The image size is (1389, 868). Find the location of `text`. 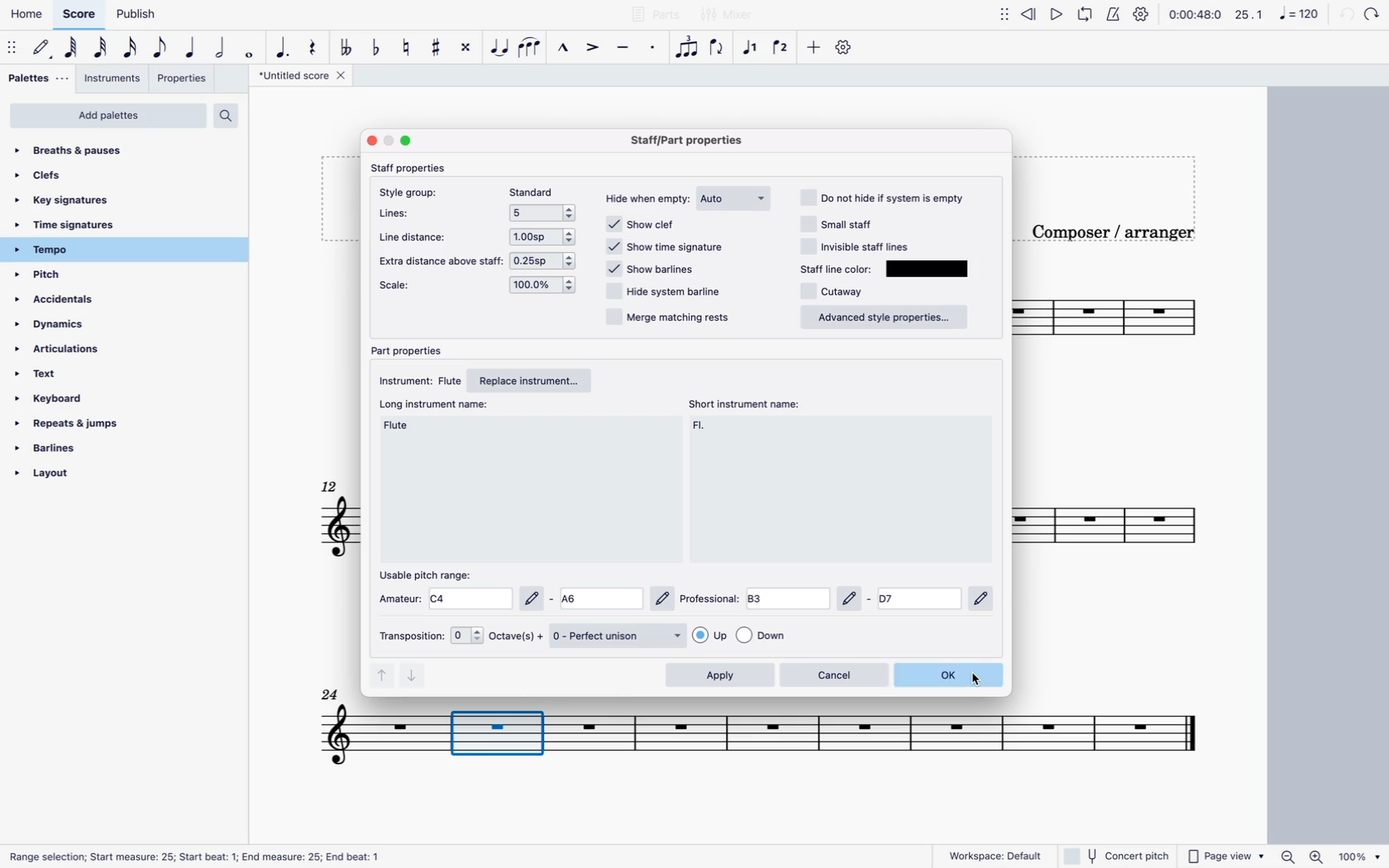

text is located at coordinates (68, 375).